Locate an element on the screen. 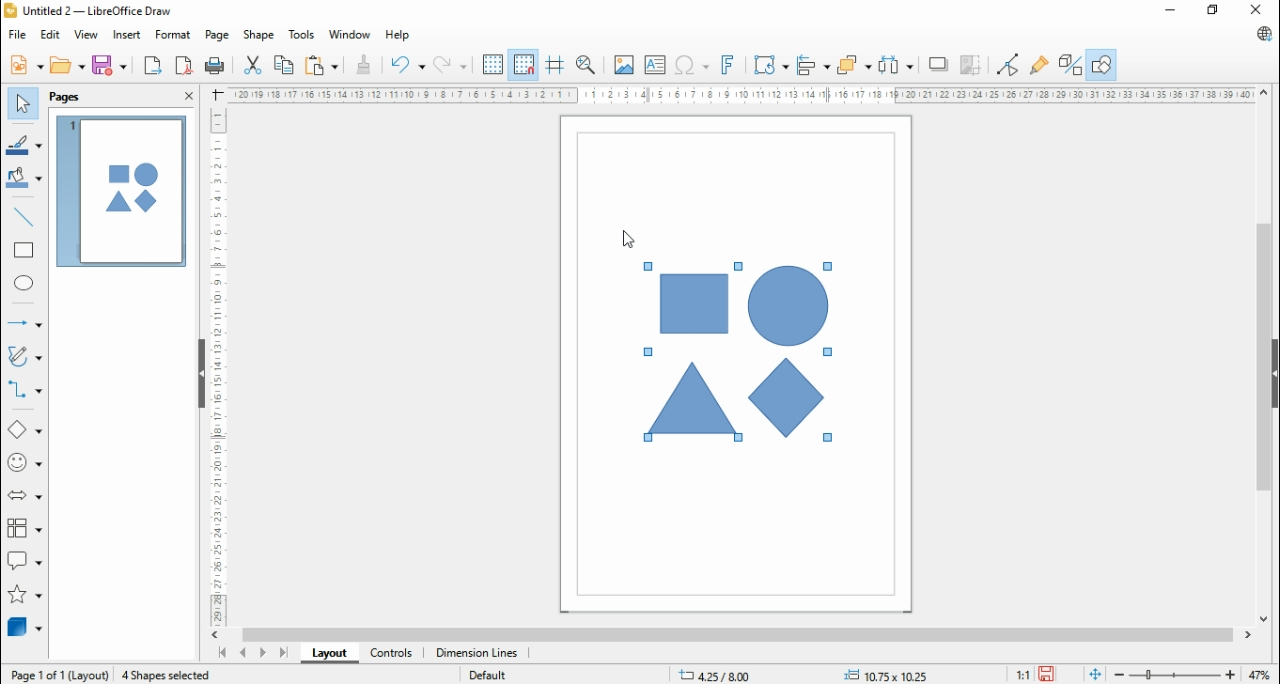 The height and width of the screenshot is (684, 1280). file is located at coordinates (18, 34).